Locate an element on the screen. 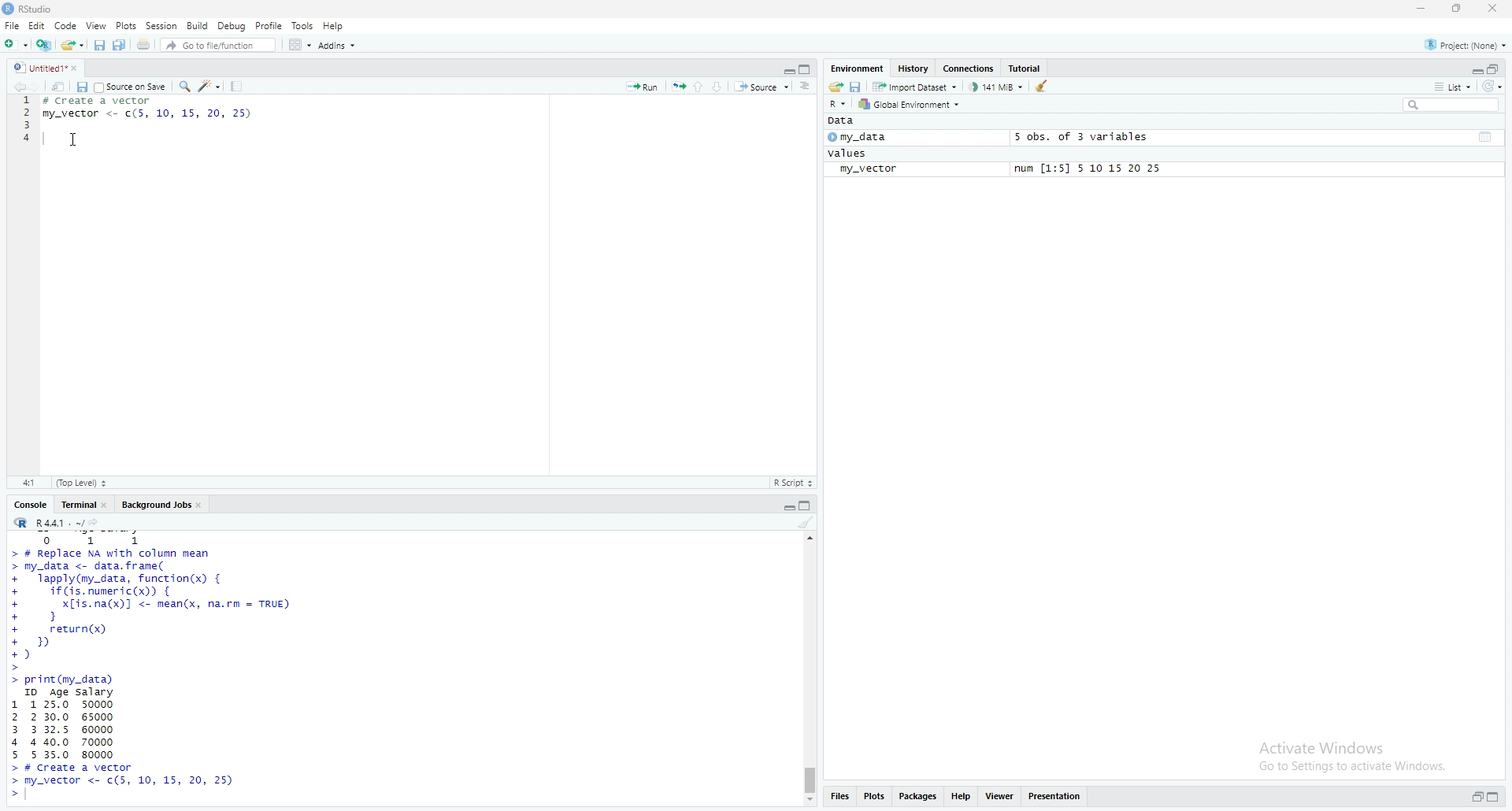 The height and width of the screenshot is (811, 1512). view is located at coordinates (97, 26).